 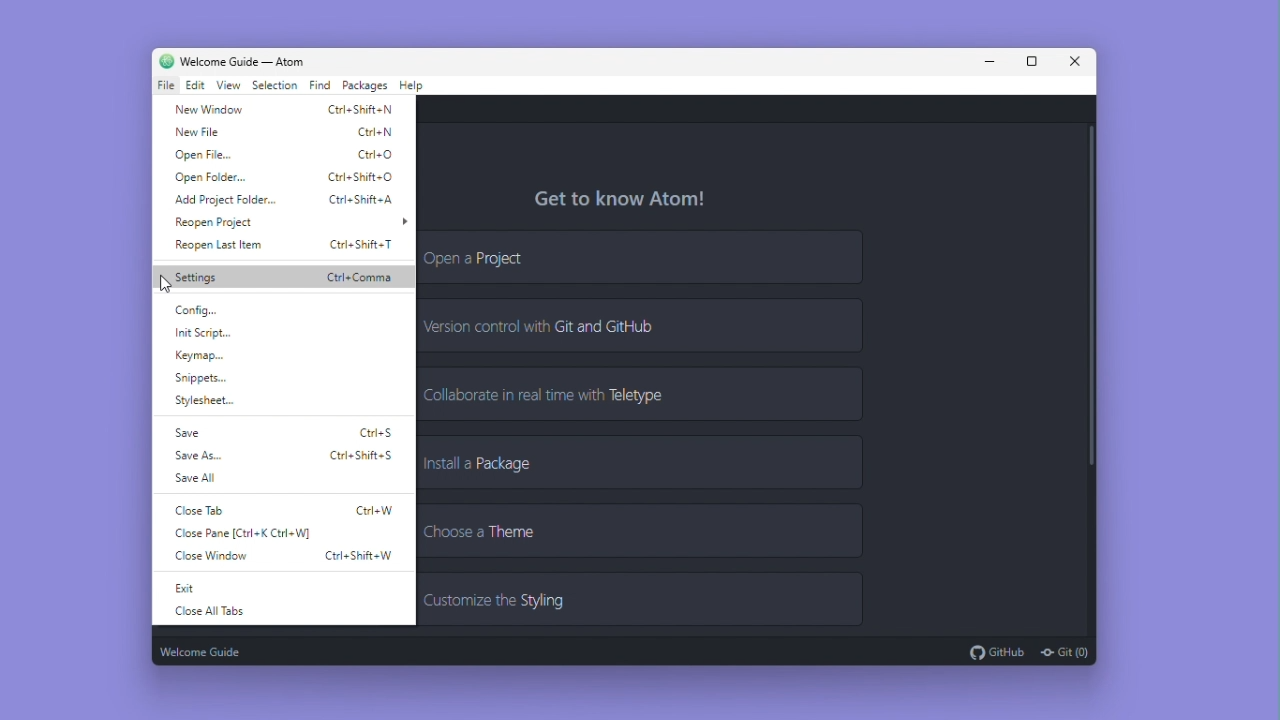 I want to click on Save Ctrl+S, so click(x=288, y=433).